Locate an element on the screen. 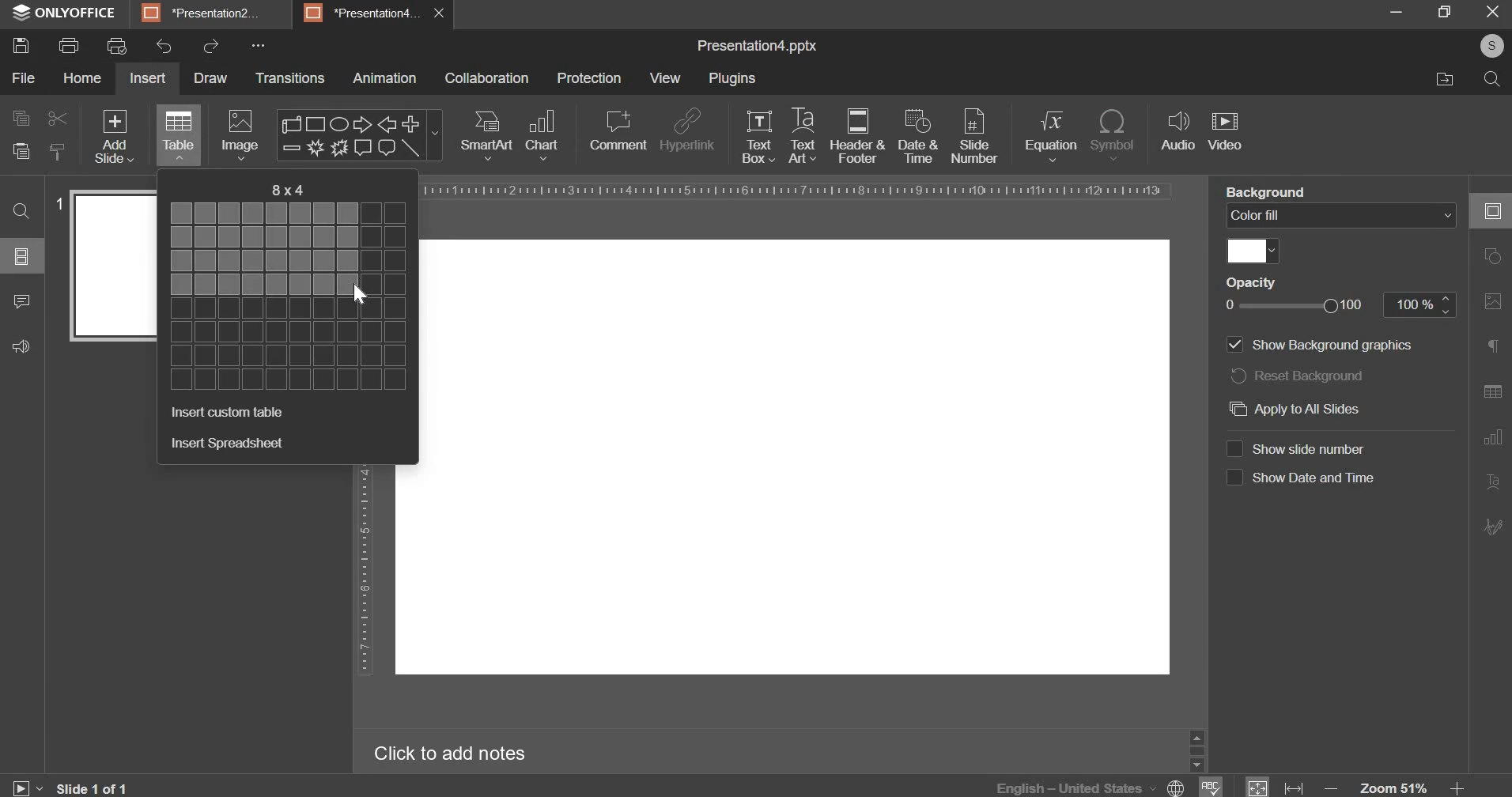 This screenshot has height=797, width=1512. redo is located at coordinates (210, 47).